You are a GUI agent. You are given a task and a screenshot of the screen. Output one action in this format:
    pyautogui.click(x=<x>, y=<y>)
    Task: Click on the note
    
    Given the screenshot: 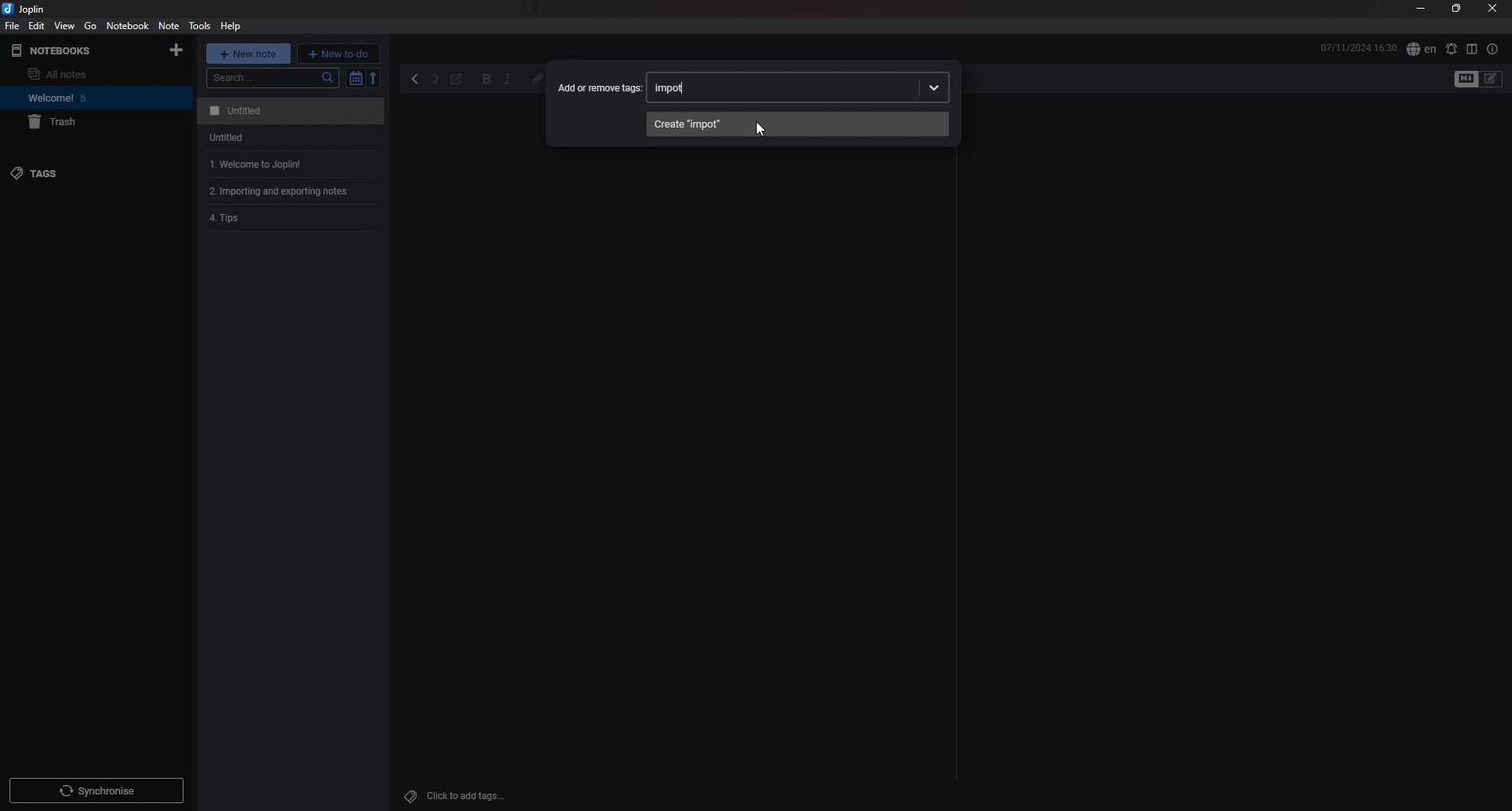 What is the action you would take?
    pyautogui.click(x=288, y=165)
    